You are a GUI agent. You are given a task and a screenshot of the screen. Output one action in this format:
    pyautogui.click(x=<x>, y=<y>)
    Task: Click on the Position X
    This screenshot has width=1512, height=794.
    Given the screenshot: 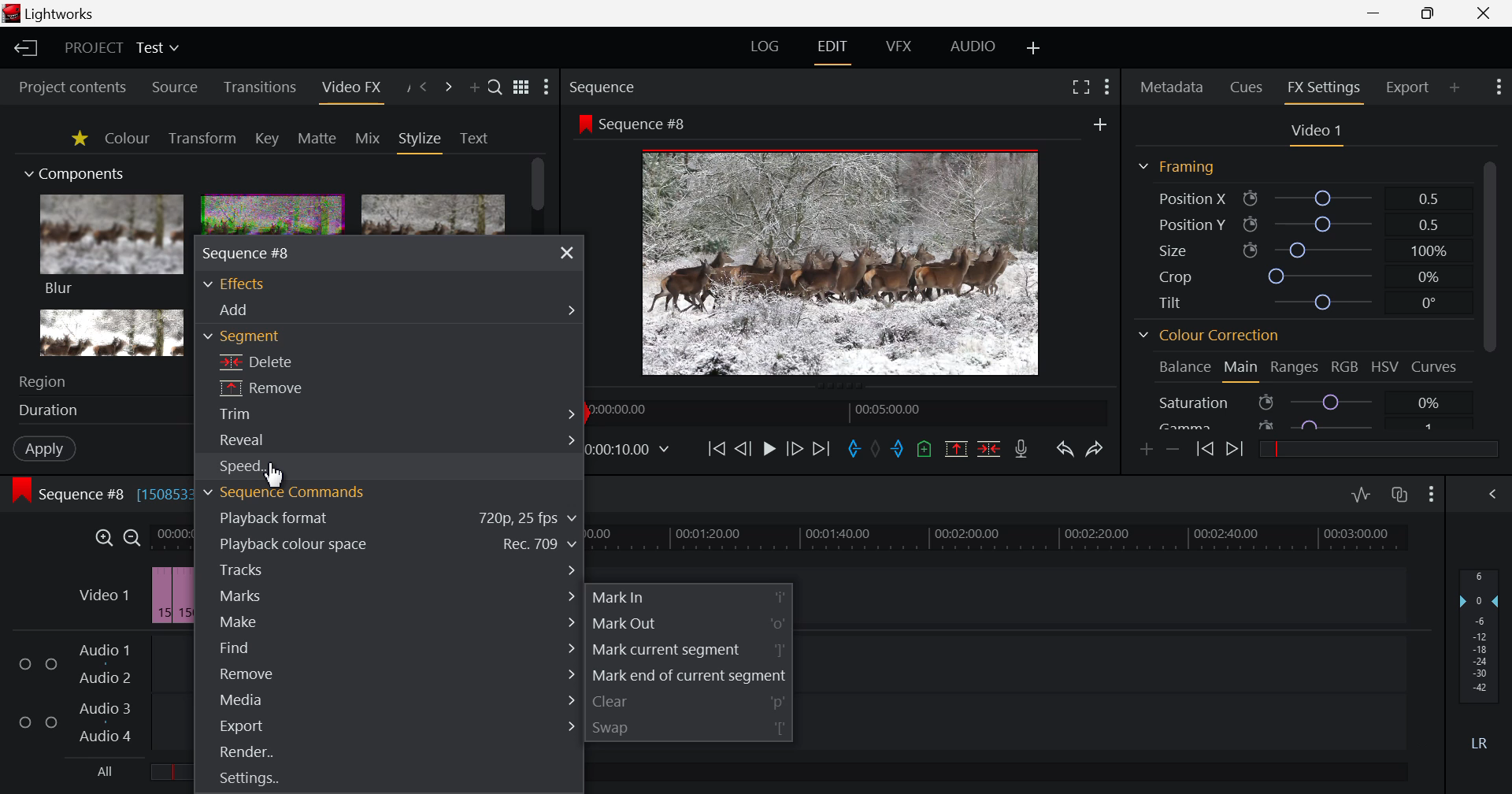 What is the action you would take?
    pyautogui.click(x=1300, y=198)
    